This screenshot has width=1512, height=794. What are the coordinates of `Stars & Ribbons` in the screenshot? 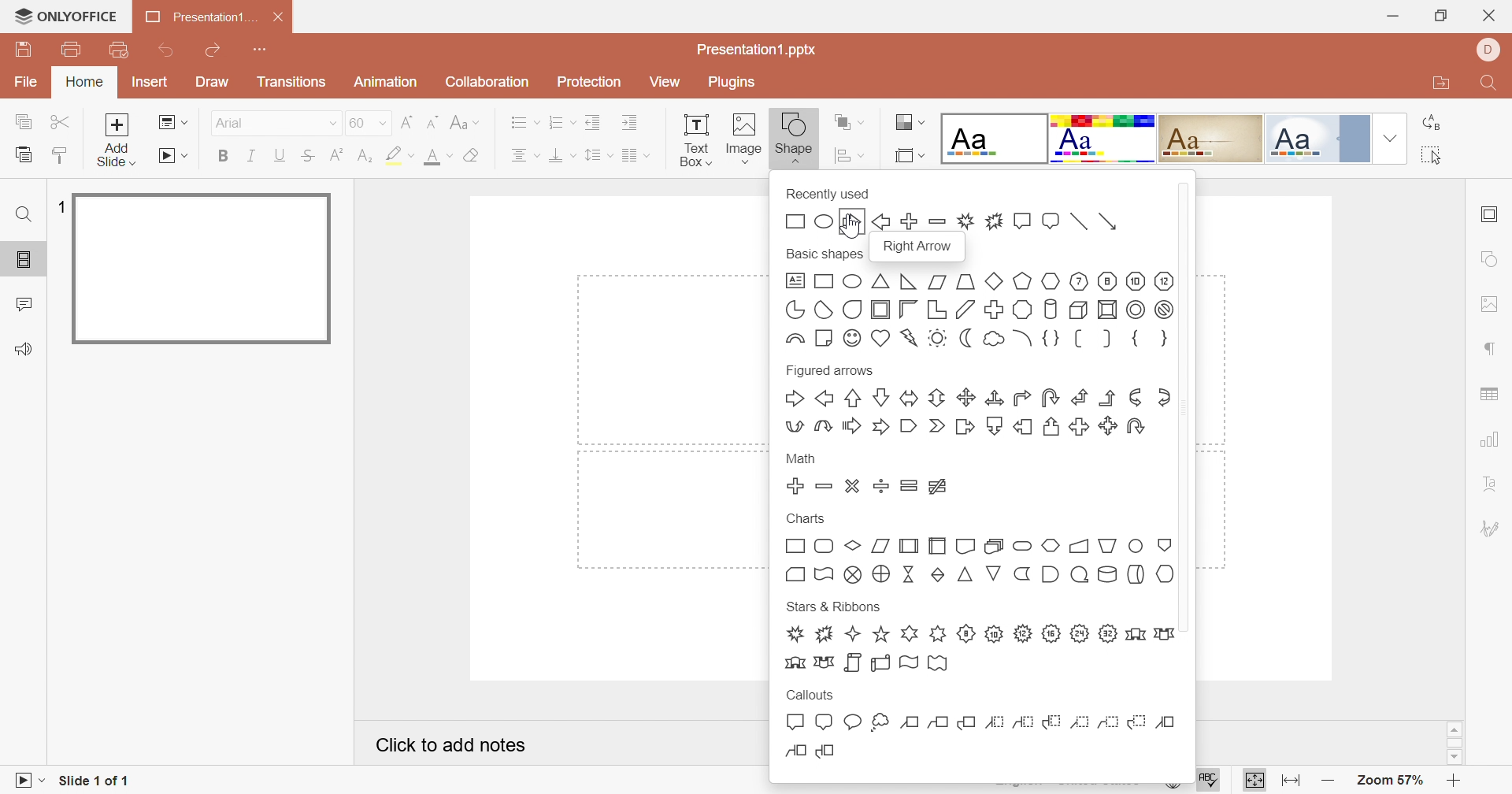 It's located at (834, 607).